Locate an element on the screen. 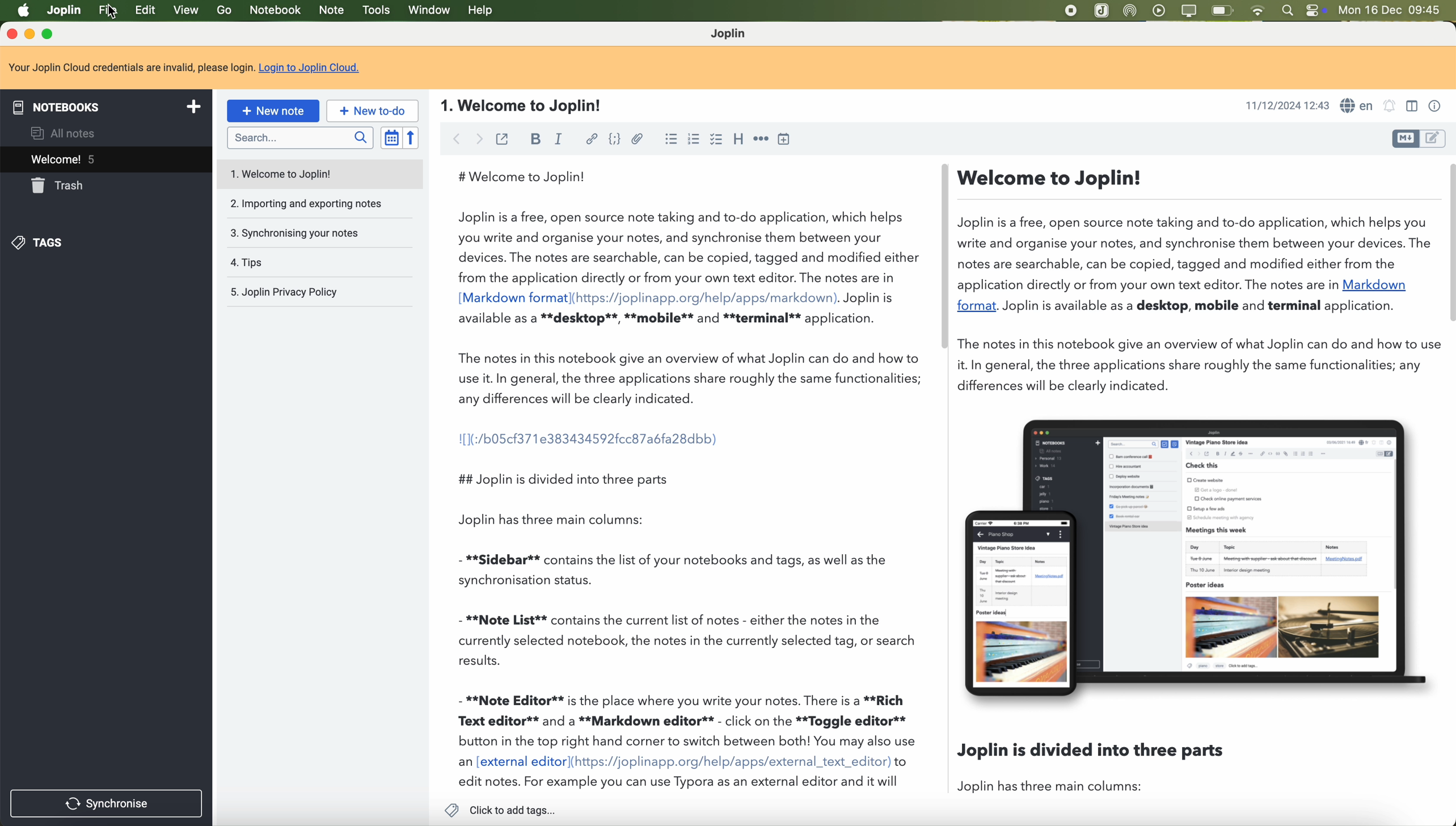 The width and height of the screenshot is (1456, 826). # Welcome to Joplin! is located at coordinates (527, 176).